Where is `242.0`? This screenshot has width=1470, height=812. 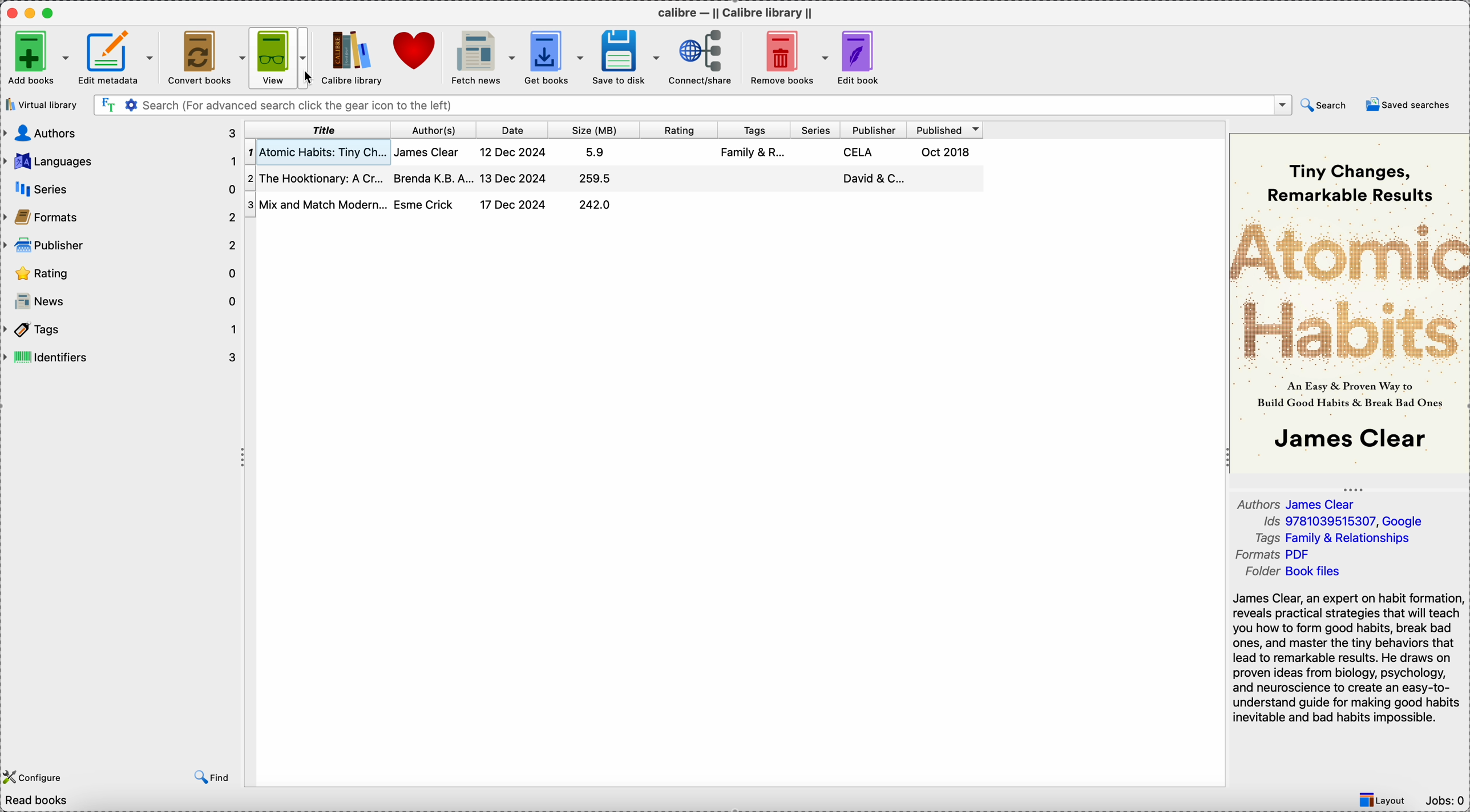
242.0 is located at coordinates (595, 205).